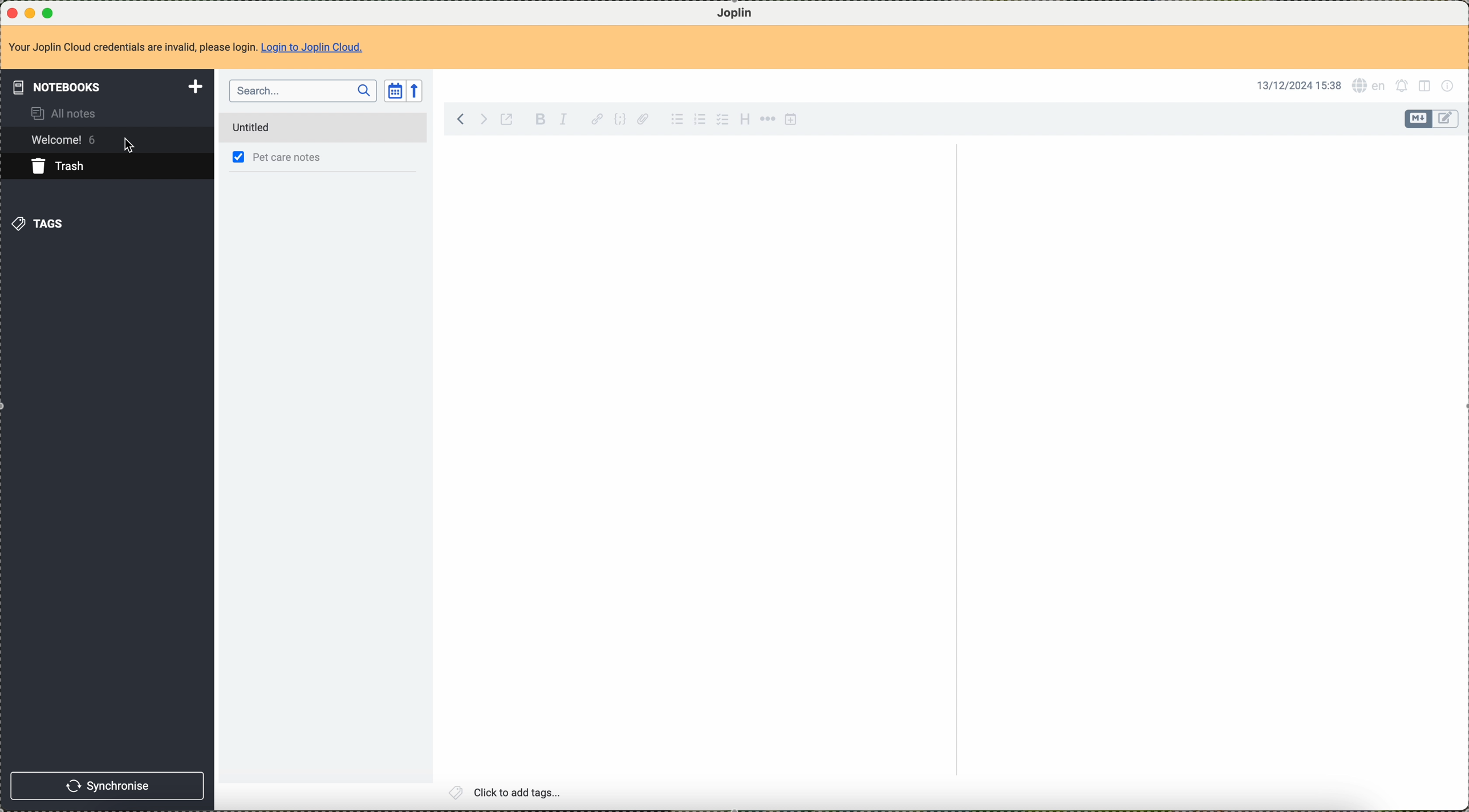 The image size is (1469, 812). What do you see at coordinates (66, 113) in the screenshot?
I see `all notes` at bounding box center [66, 113].